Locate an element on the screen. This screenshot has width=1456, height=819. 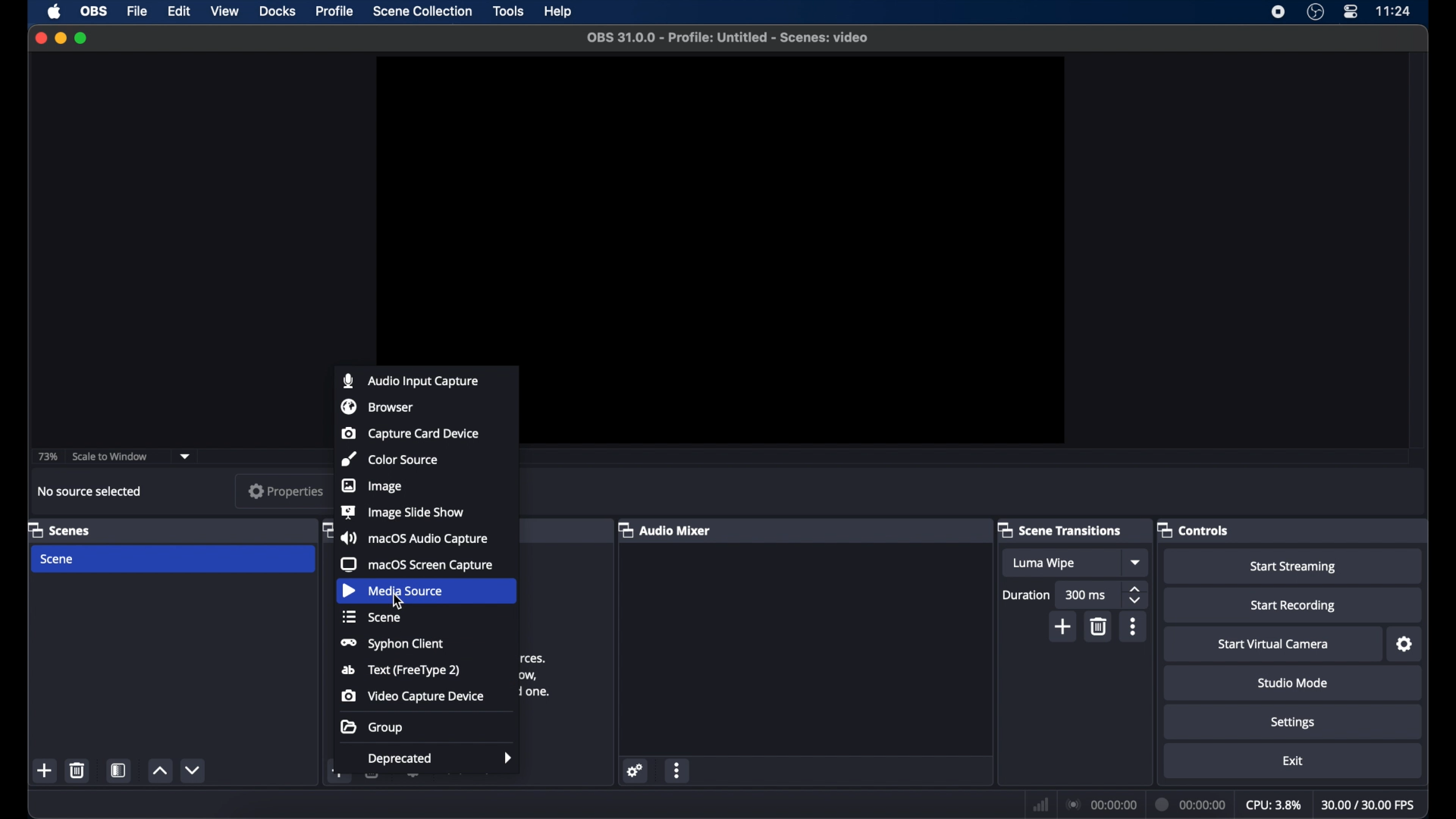
decrement is located at coordinates (487, 773).